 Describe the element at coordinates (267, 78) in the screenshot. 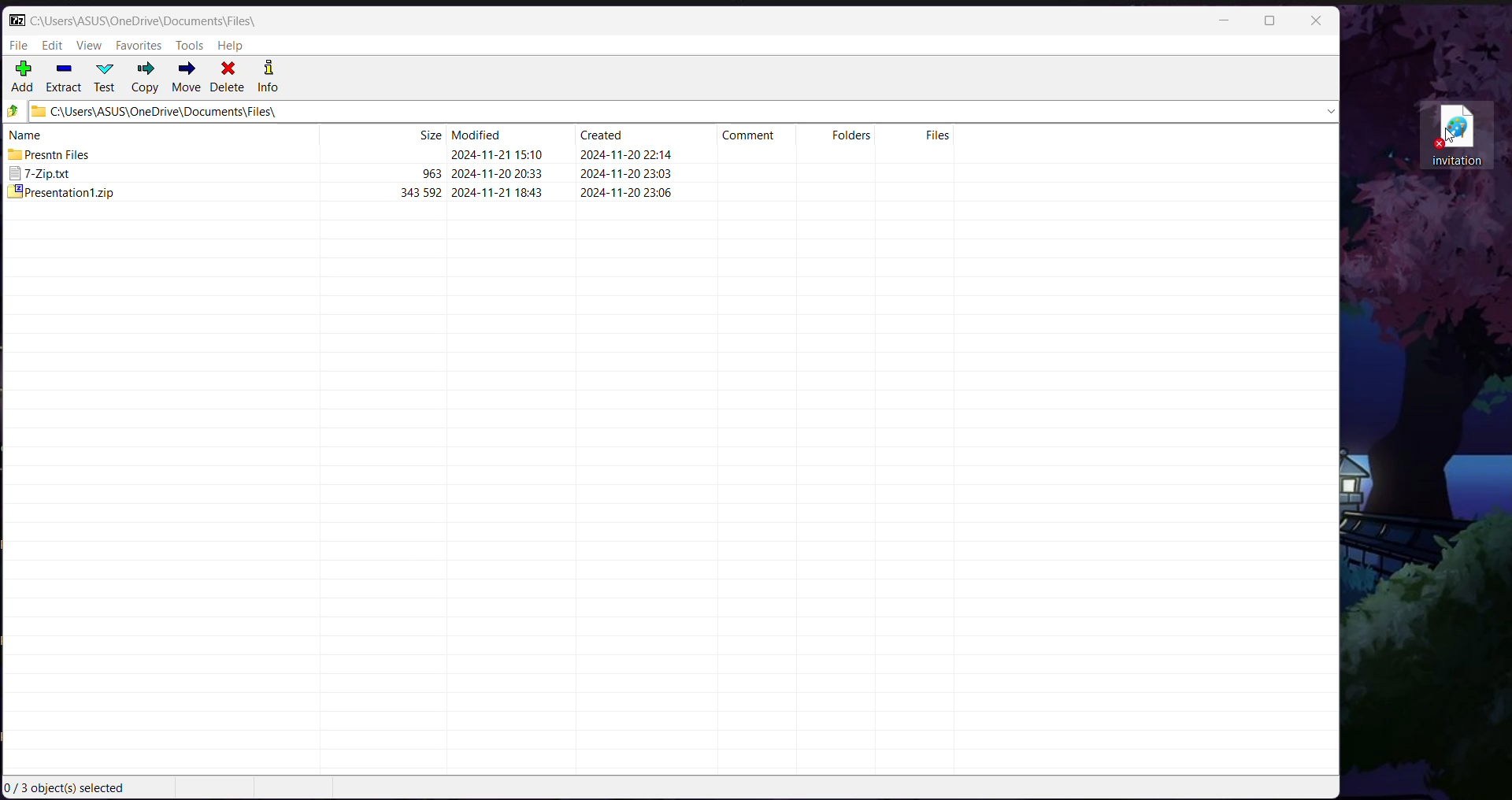

I see `Info` at that location.